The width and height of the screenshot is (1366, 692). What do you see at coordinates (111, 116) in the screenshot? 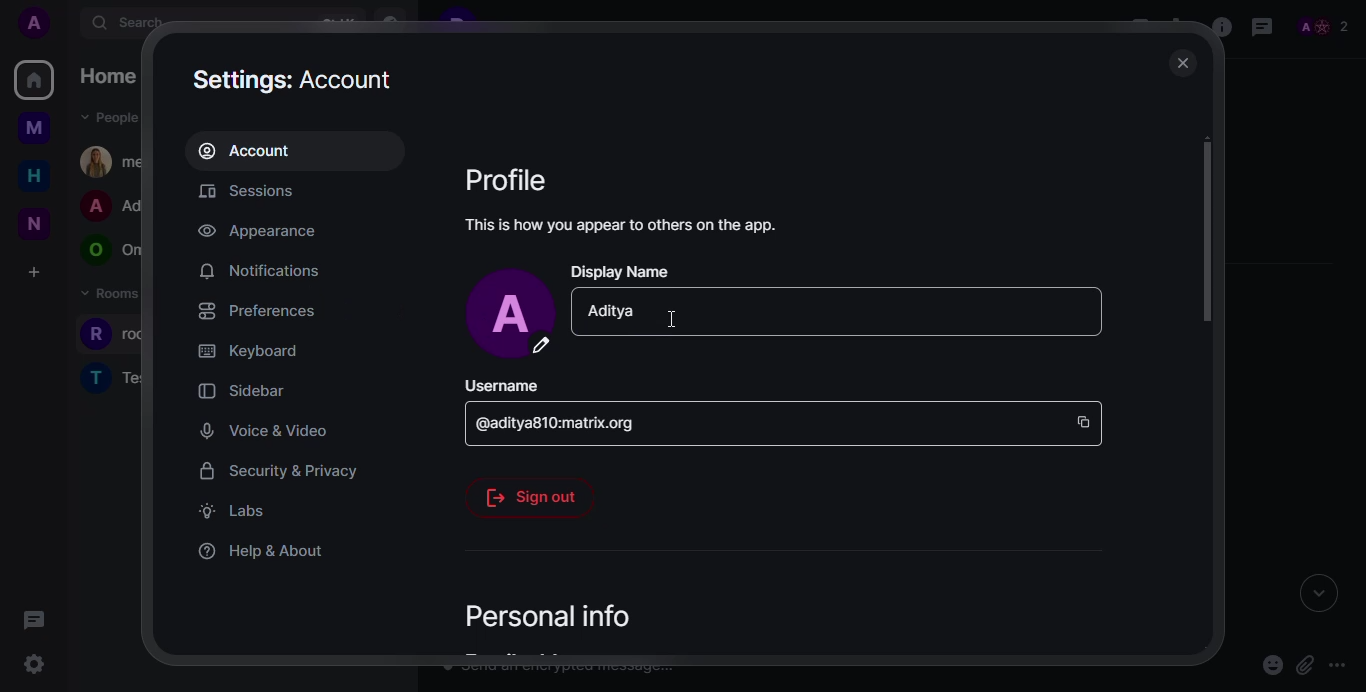
I see `people dropdown` at bounding box center [111, 116].